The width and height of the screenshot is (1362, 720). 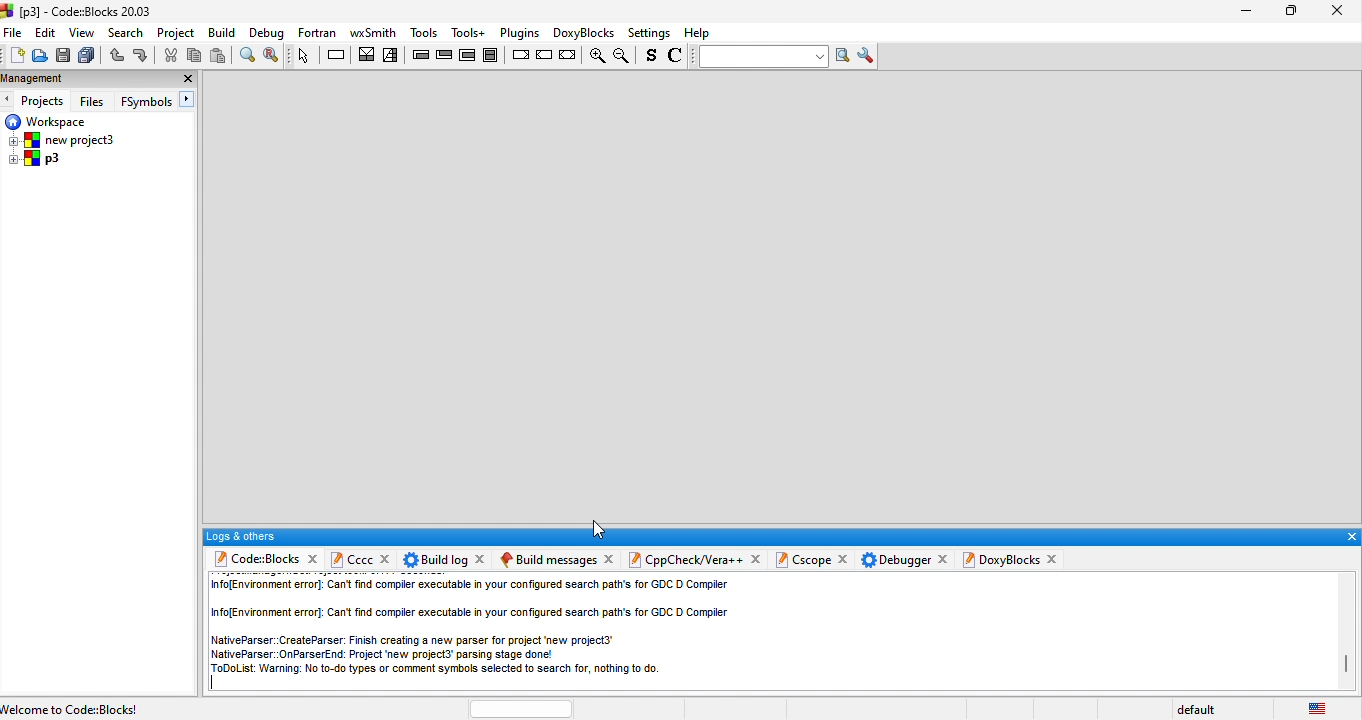 What do you see at coordinates (469, 32) in the screenshot?
I see `tools` at bounding box center [469, 32].